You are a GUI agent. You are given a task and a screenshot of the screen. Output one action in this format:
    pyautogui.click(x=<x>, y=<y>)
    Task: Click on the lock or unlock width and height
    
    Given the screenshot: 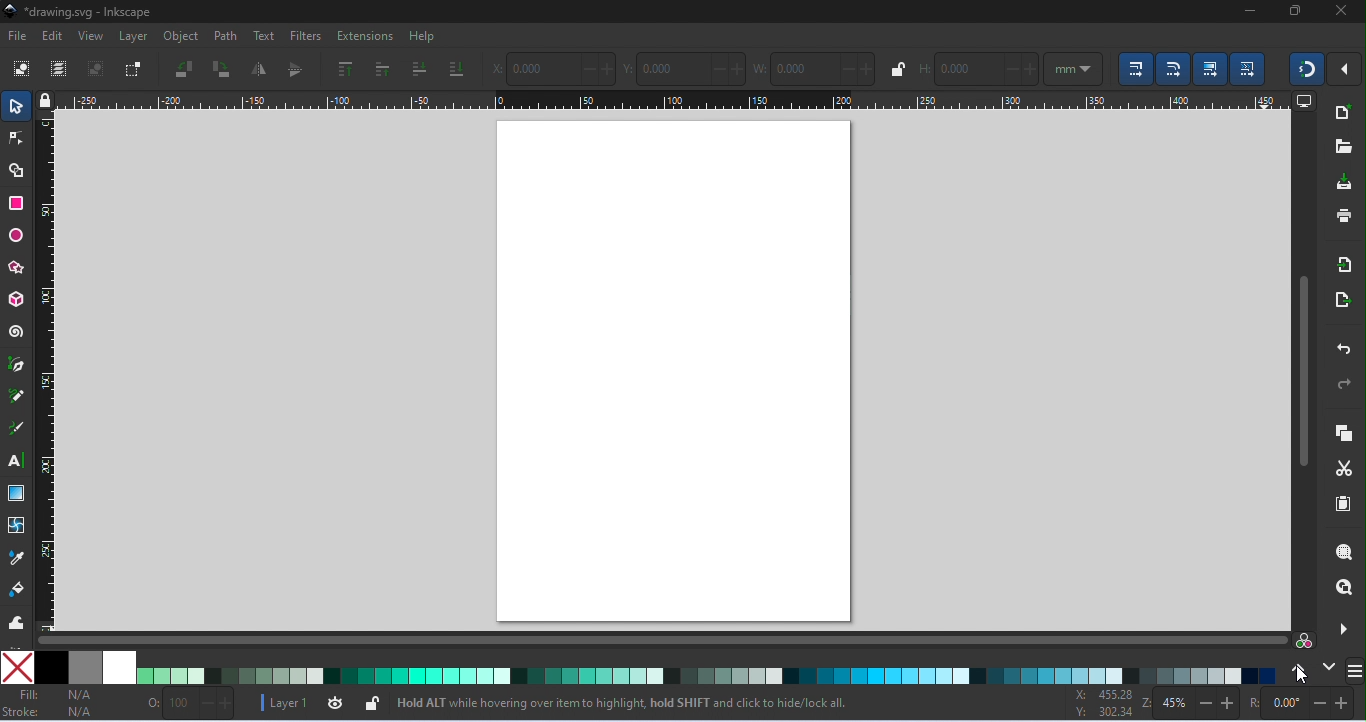 What is the action you would take?
    pyautogui.click(x=896, y=69)
    